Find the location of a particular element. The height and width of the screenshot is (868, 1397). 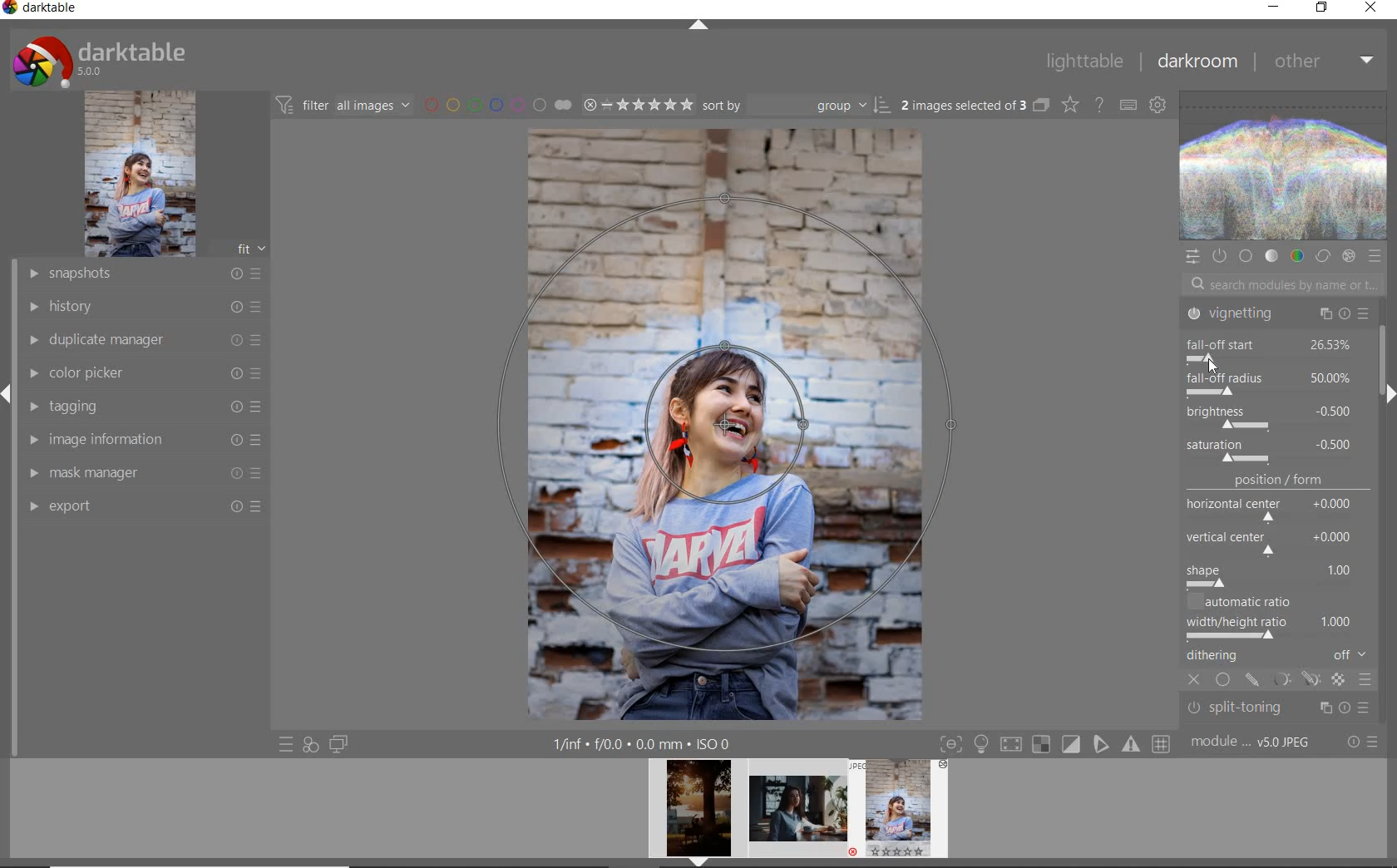

base  is located at coordinates (1247, 257).